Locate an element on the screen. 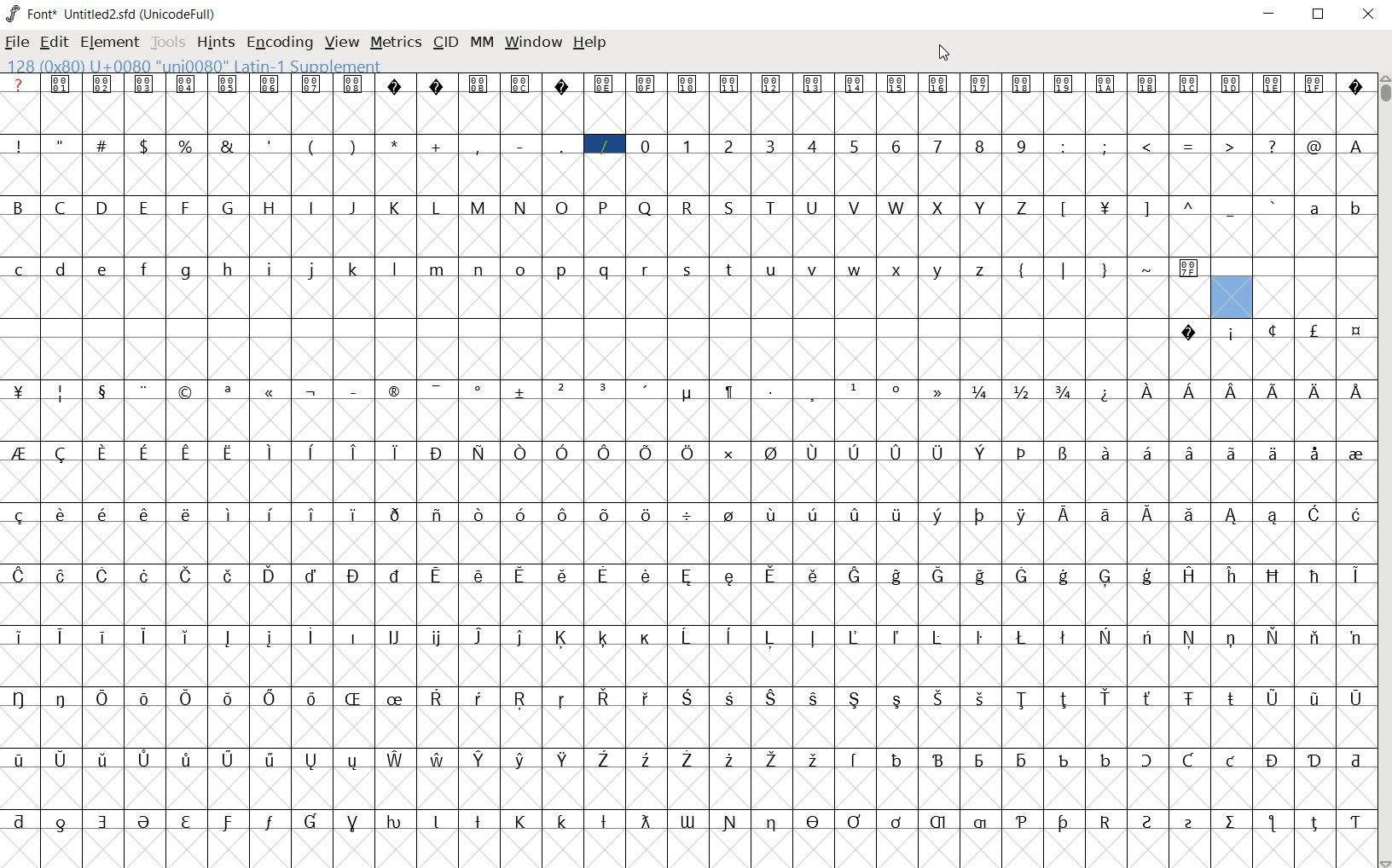  glyph is located at coordinates (979, 761).